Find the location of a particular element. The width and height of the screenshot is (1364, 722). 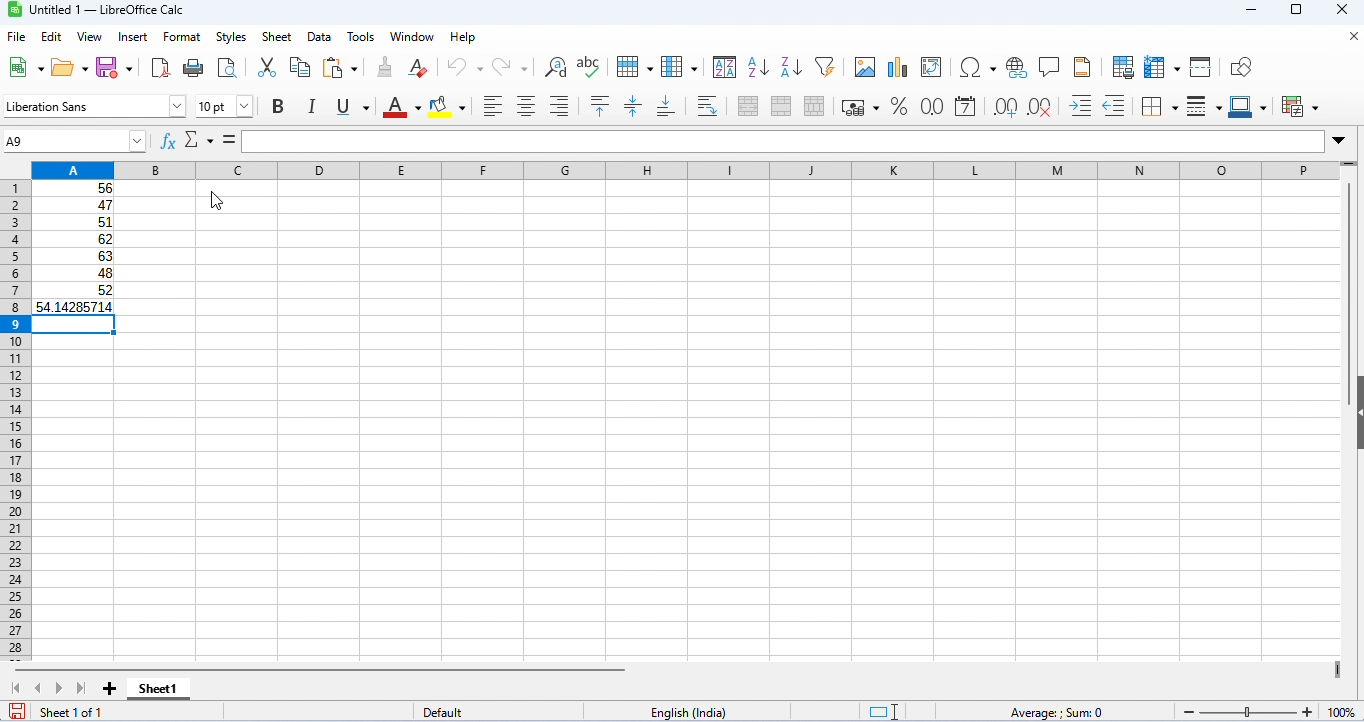

underline is located at coordinates (350, 107).